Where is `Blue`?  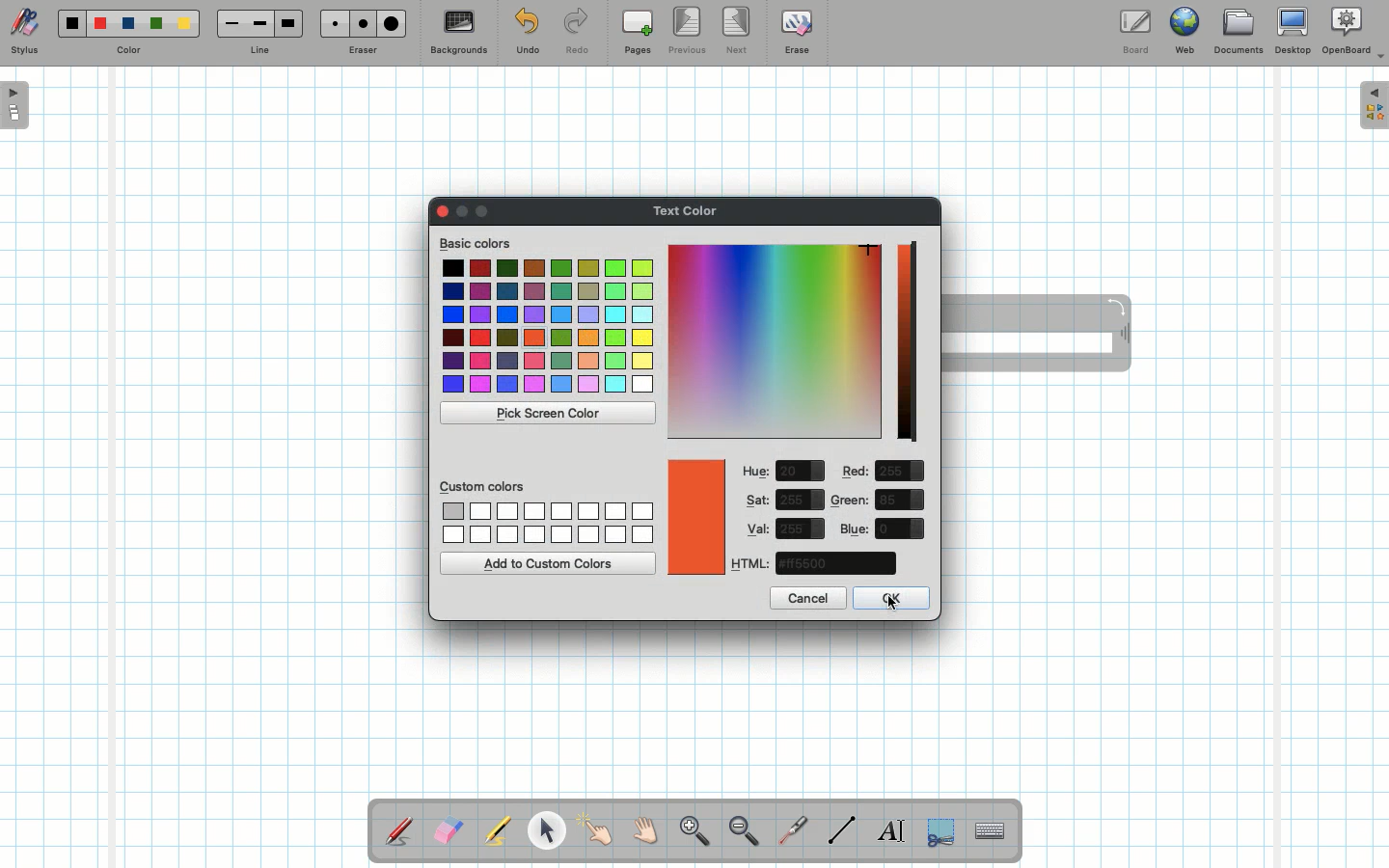
Blue is located at coordinates (855, 529).